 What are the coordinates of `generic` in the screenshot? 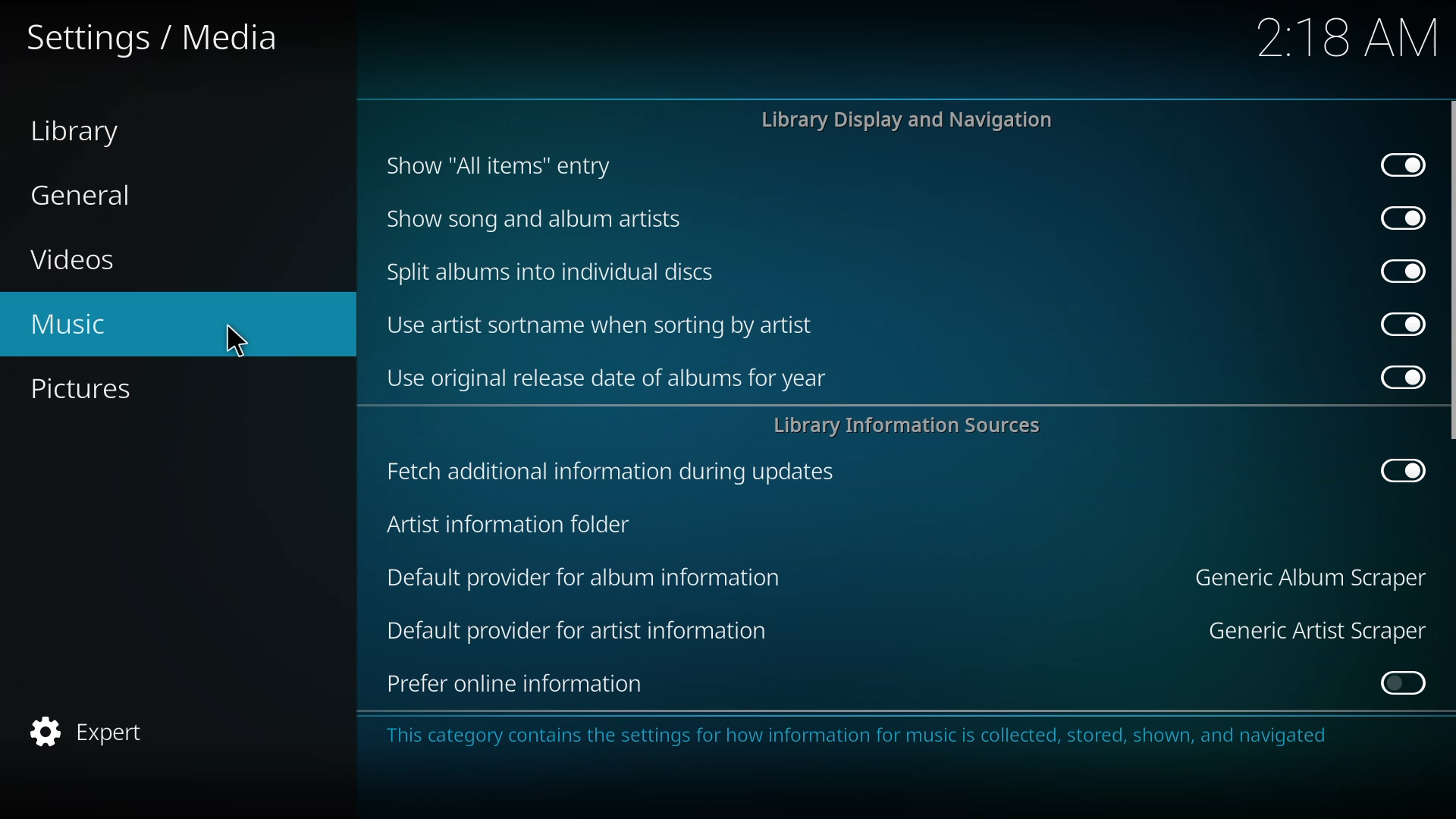 It's located at (1315, 578).